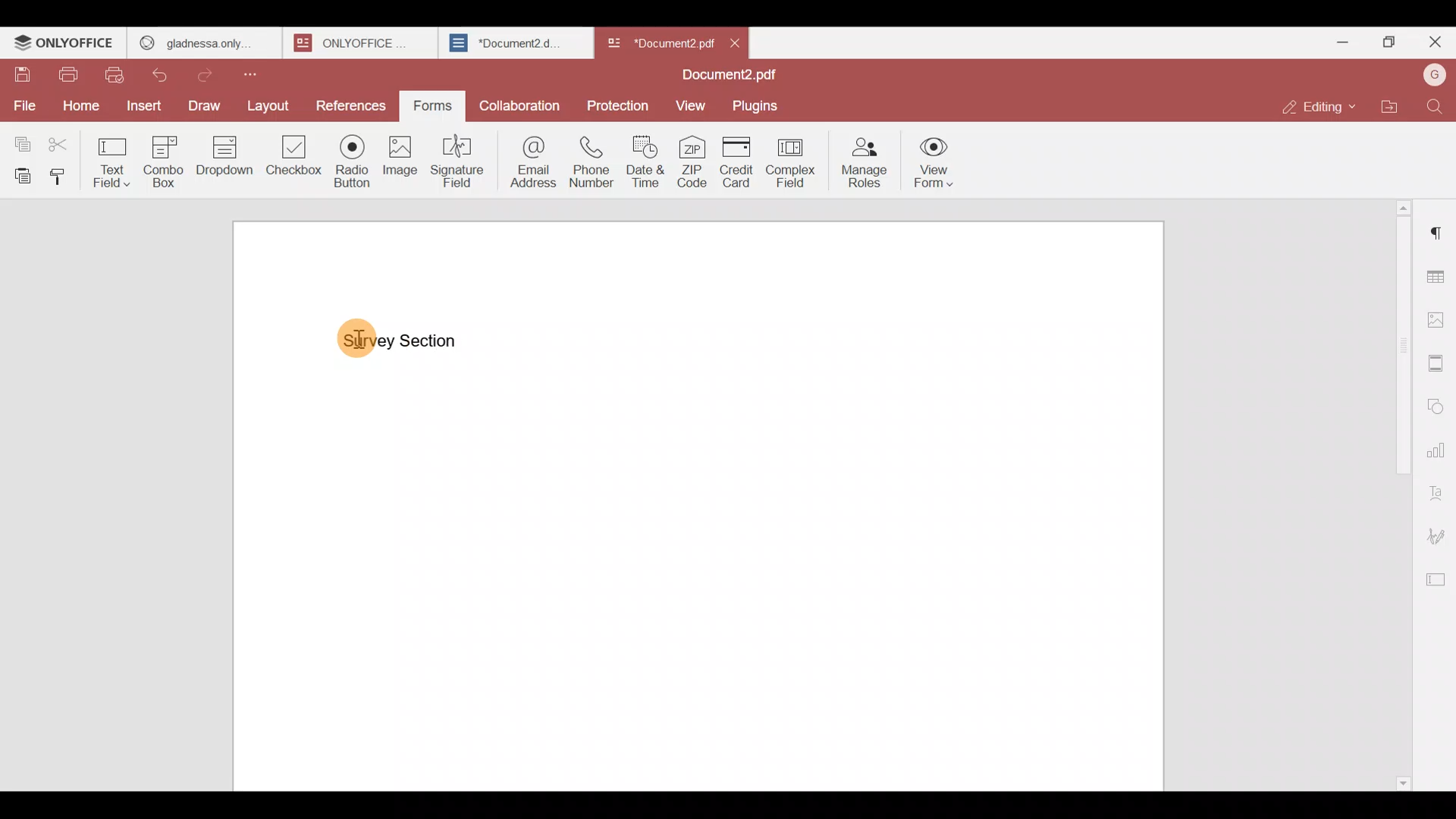  I want to click on Date & time, so click(645, 161).